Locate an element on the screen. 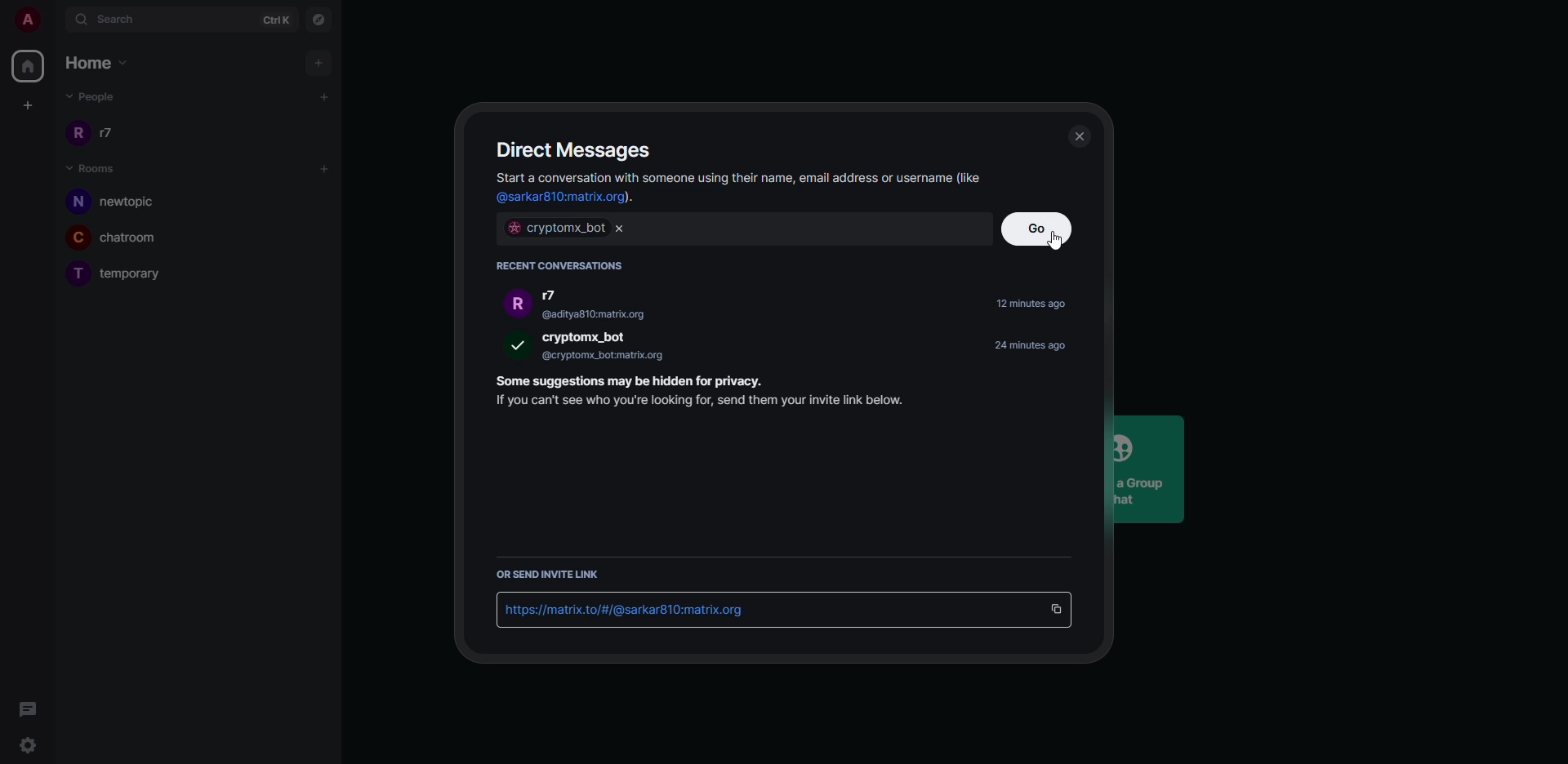 Image resolution: width=1568 pixels, height=764 pixels. bot is located at coordinates (555, 228).